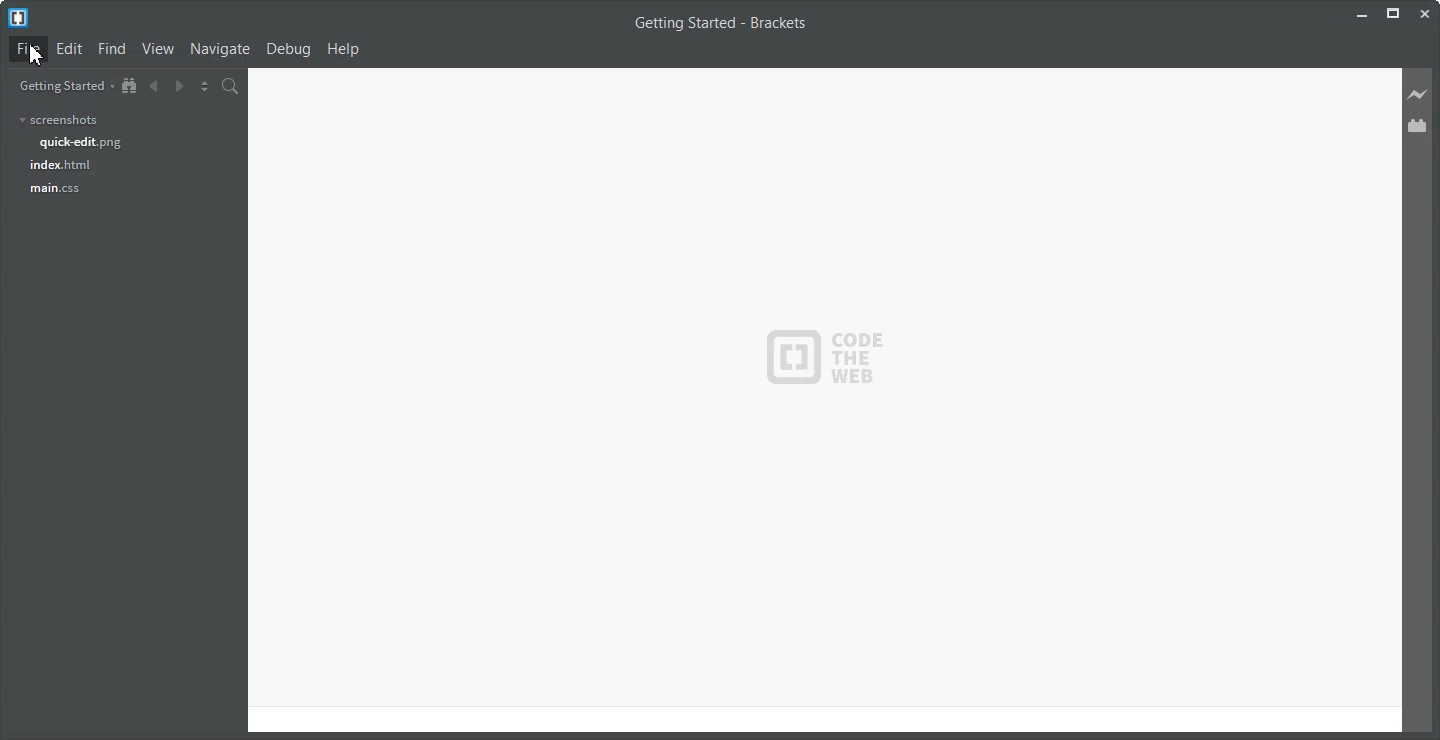  What do you see at coordinates (1394, 15) in the screenshot?
I see `Maximize` at bounding box center [1394, 15].